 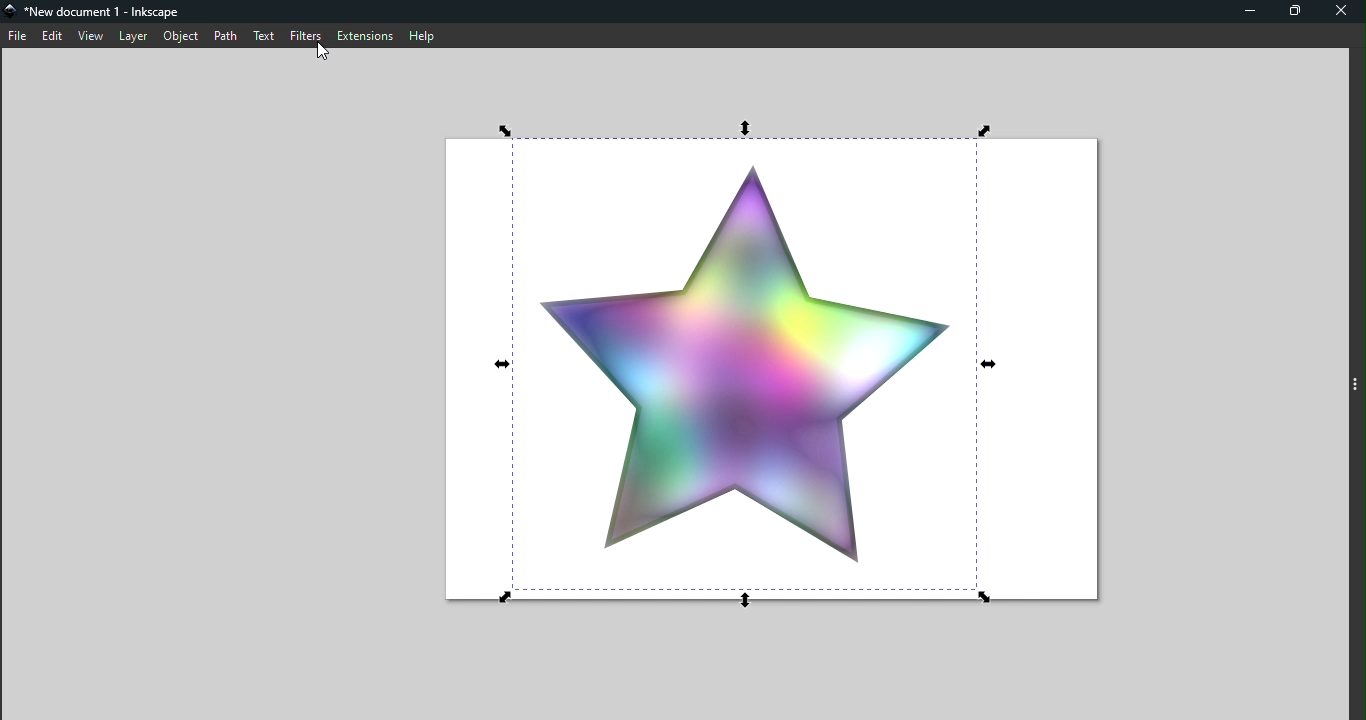 What do you see at coordinates (317, 53) in the screenshot?
I see `Cursor` at bounding box center [317, 53].